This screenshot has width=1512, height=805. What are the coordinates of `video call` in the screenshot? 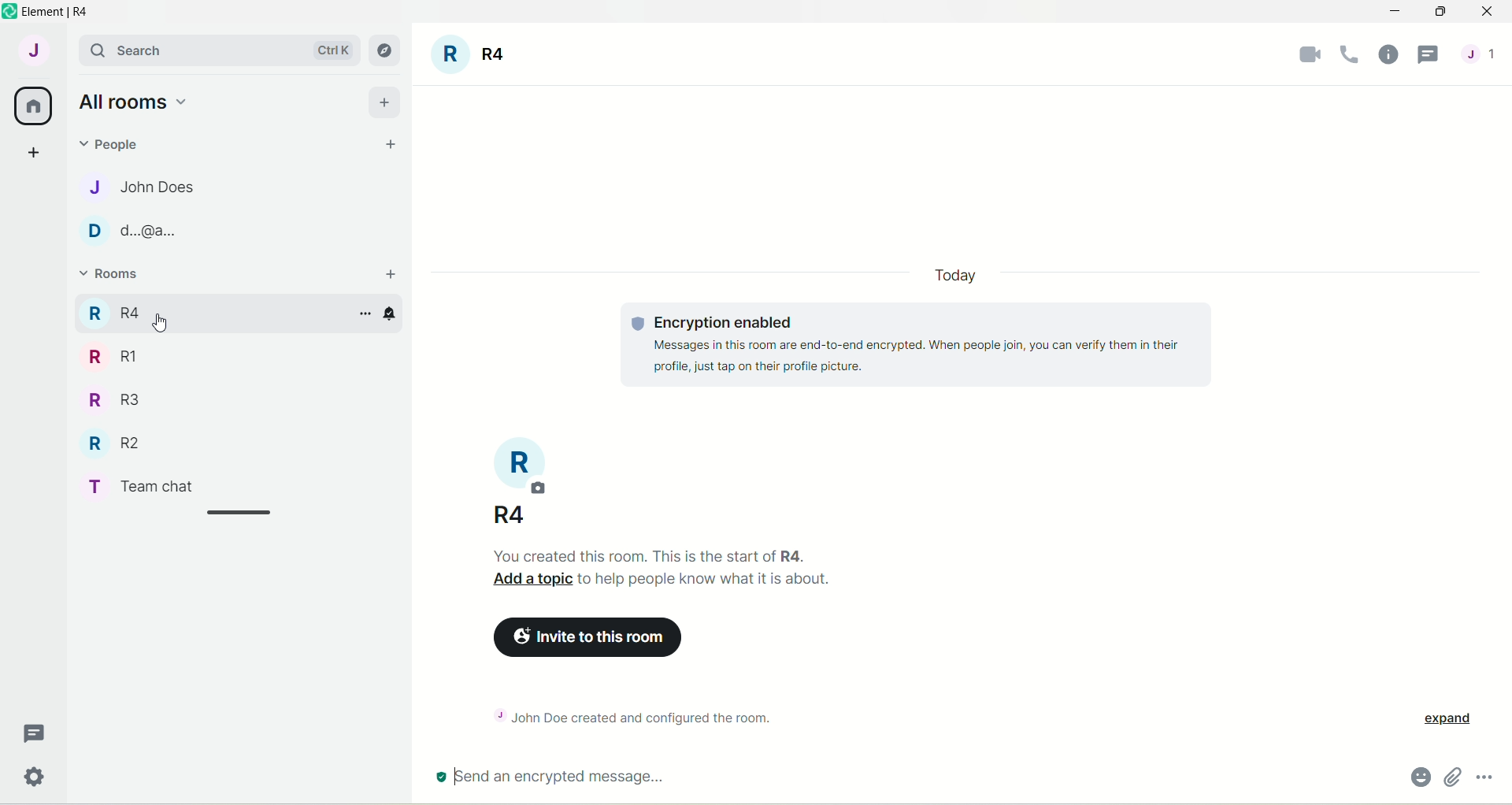 It's located at (1303, 54).